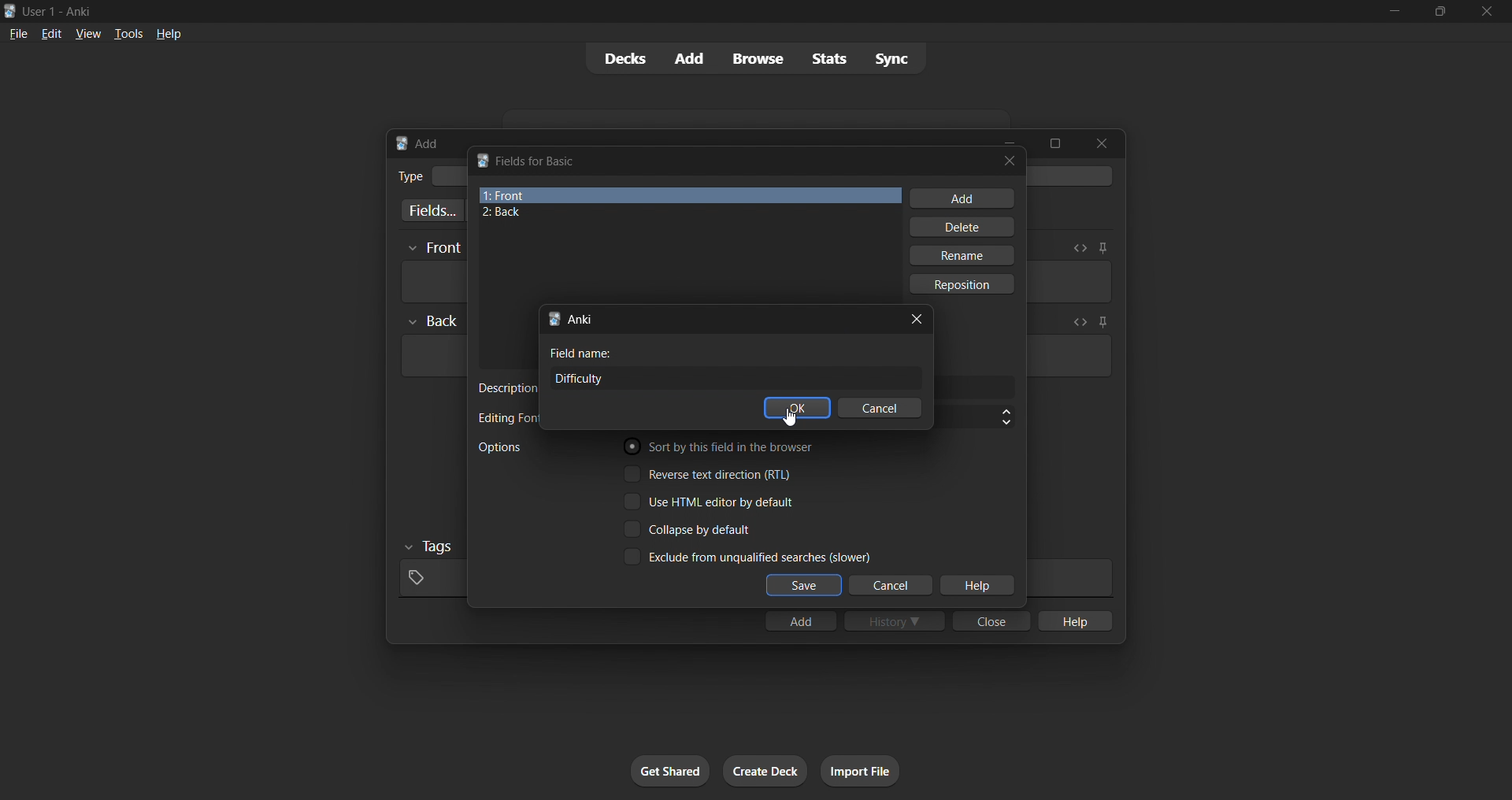 The width and height of the screenshot is (1512, 800). Describe the element at coordinates (880, 407) in the screenshot. I see `cancel` at that location.